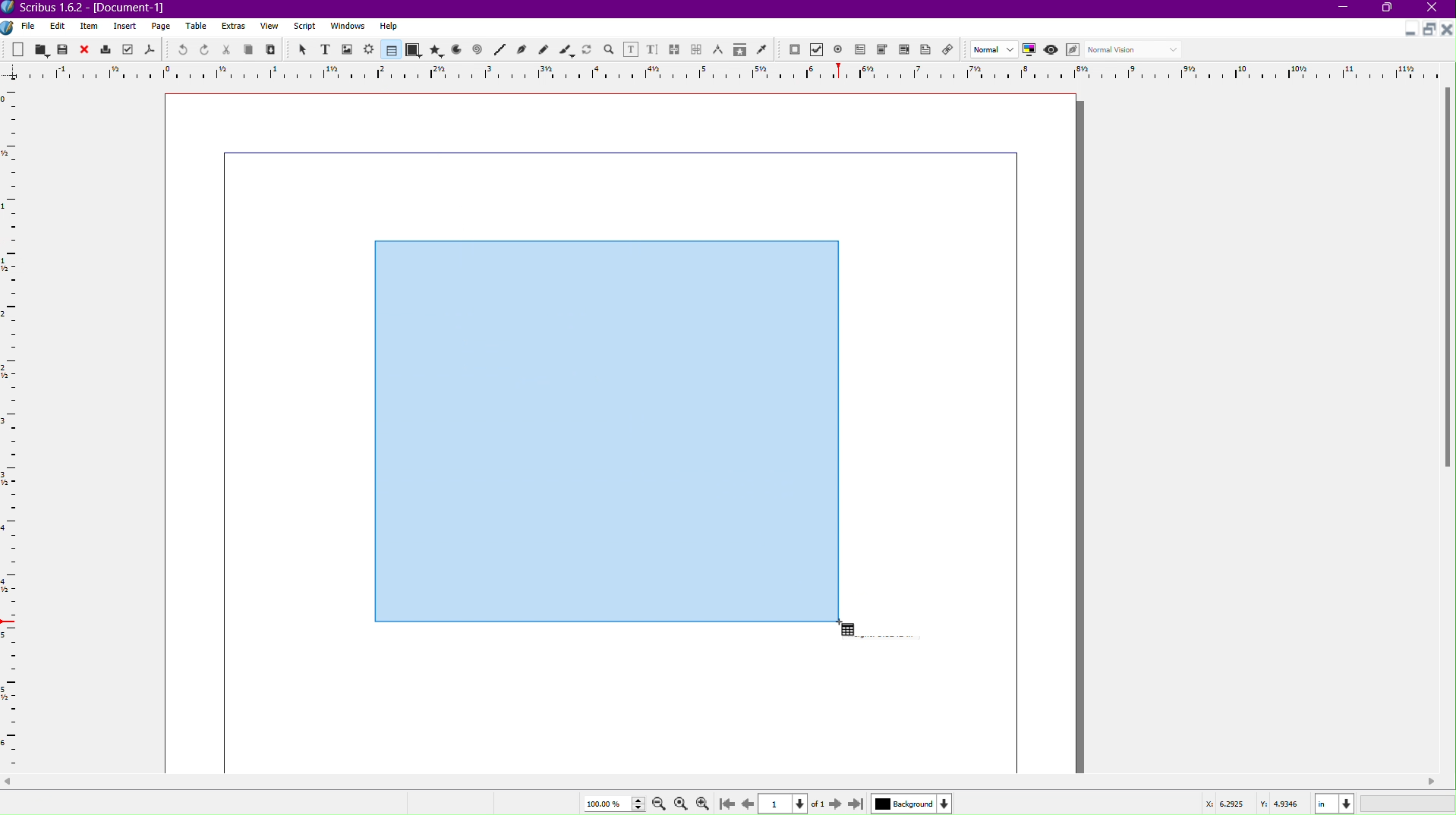 This screenshot has height=815, width=1456. I want to click on Table, so click(198, 27).